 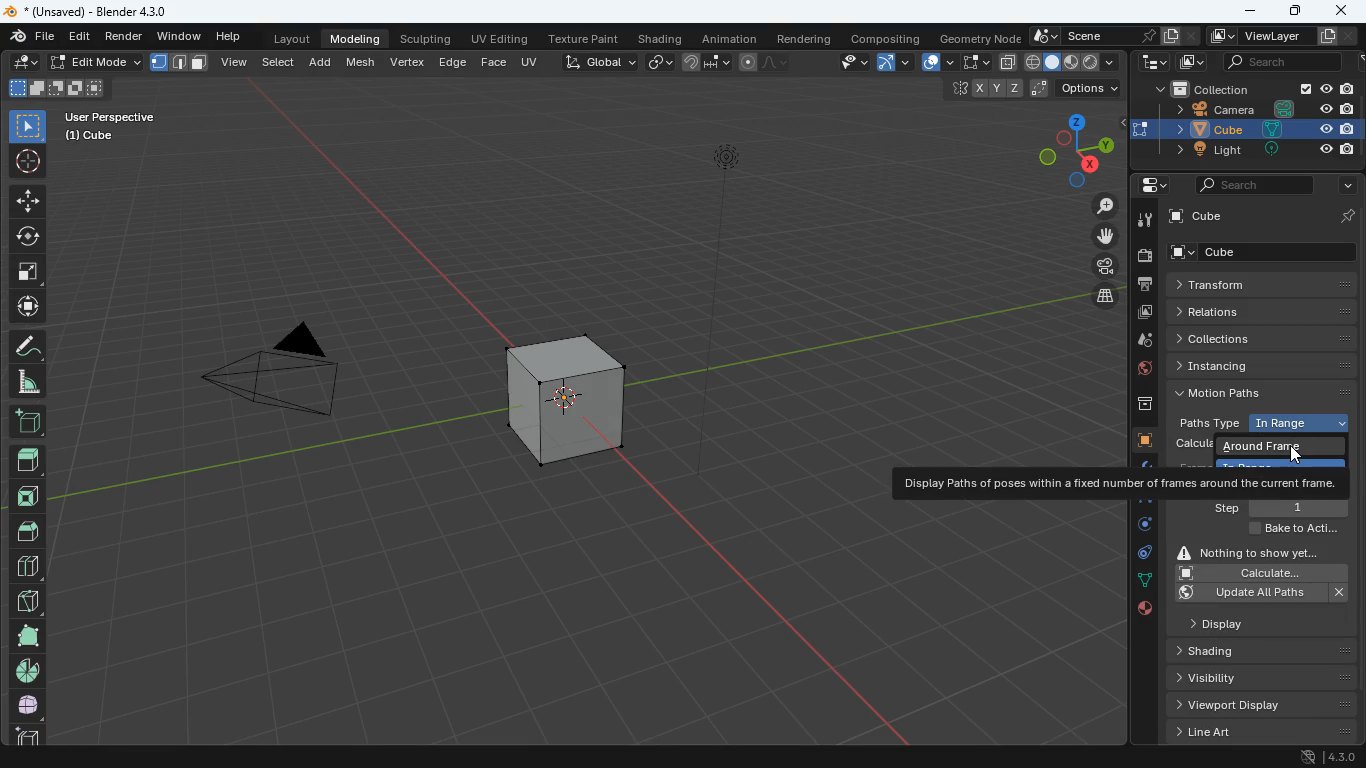 I want to click on minimize, so click(x=1249, y=10).